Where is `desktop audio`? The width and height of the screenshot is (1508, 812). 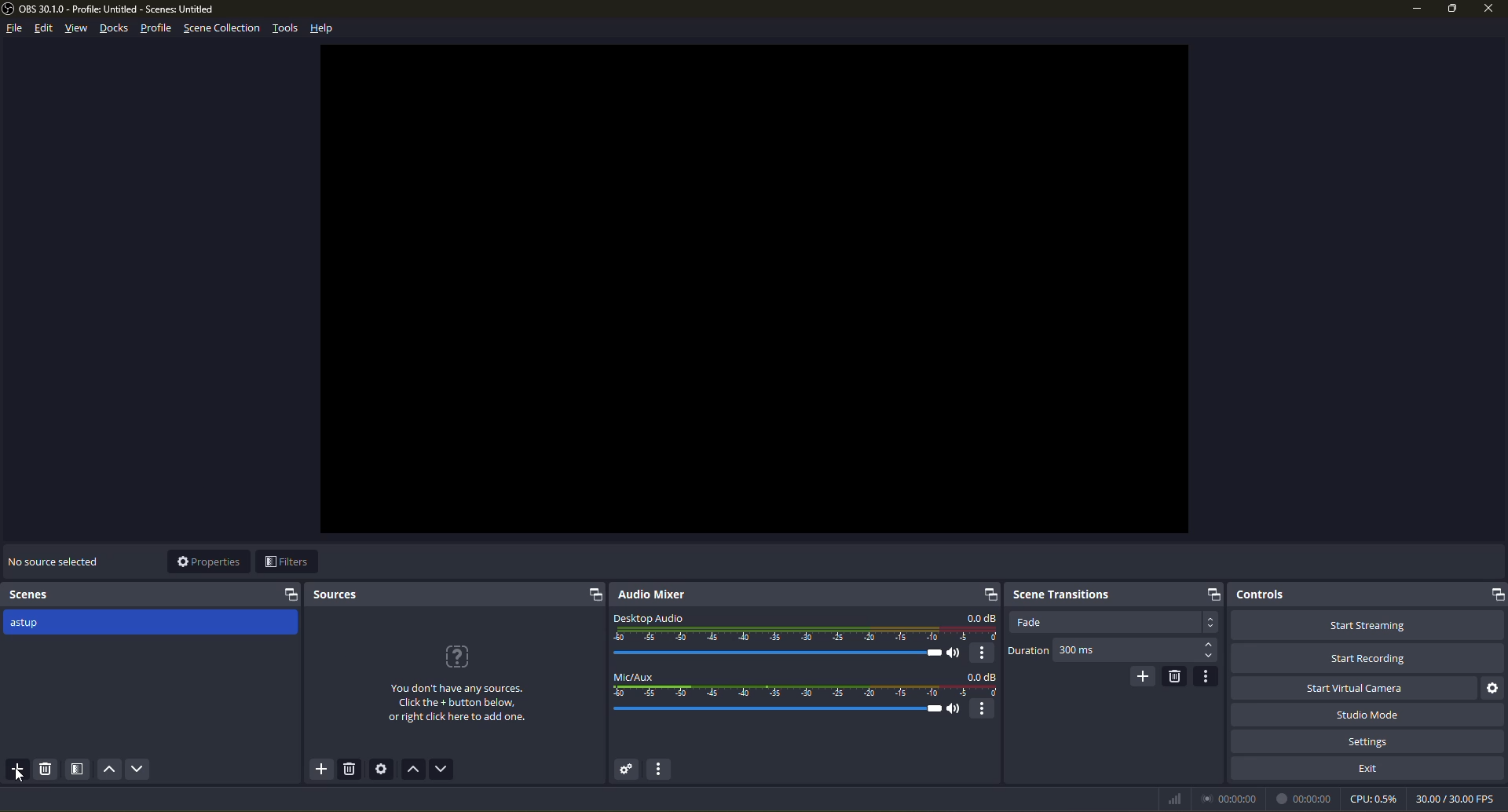 desktop audio is located at coordinates (647, 619).